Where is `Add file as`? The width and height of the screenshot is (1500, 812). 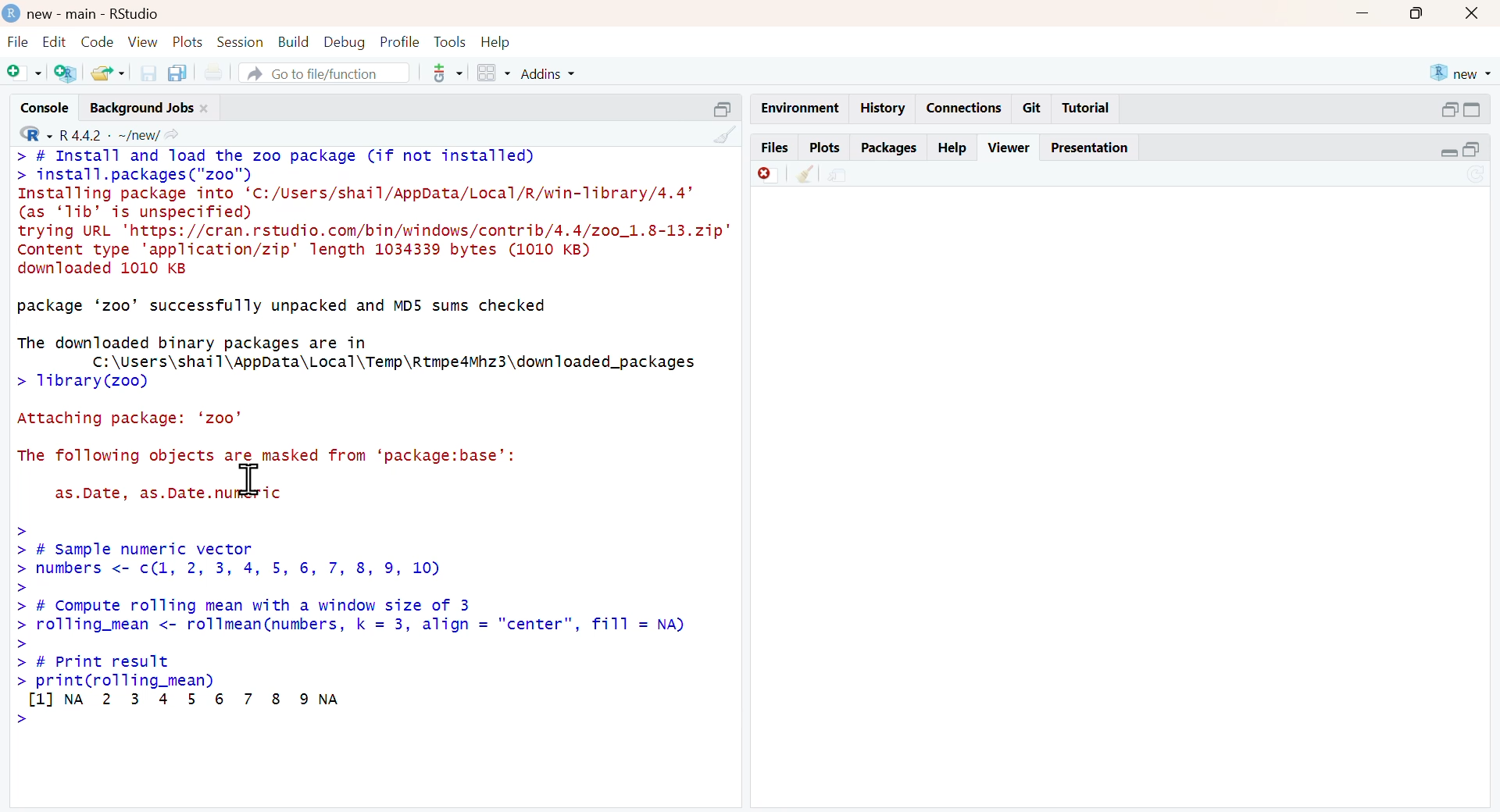
Add file as is located at coordinates (25, 73).